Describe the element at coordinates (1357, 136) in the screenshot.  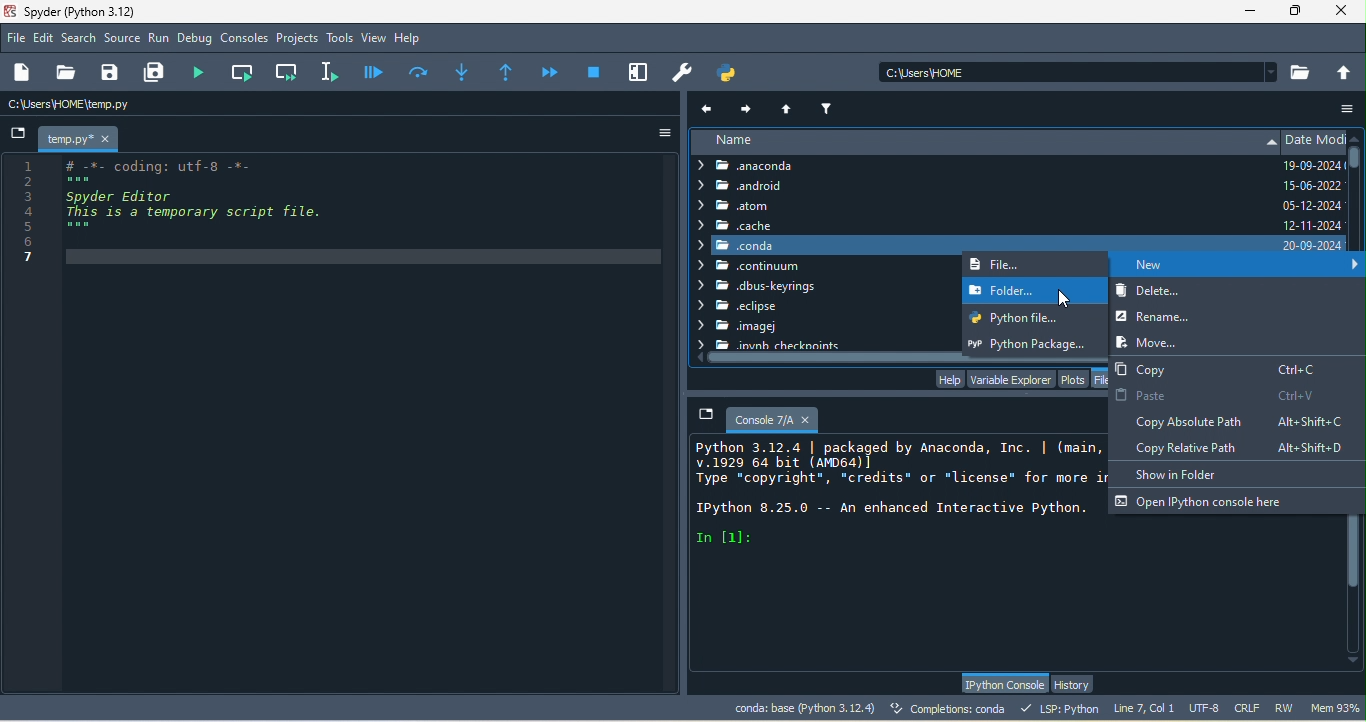
I see `scroll up` at that location.